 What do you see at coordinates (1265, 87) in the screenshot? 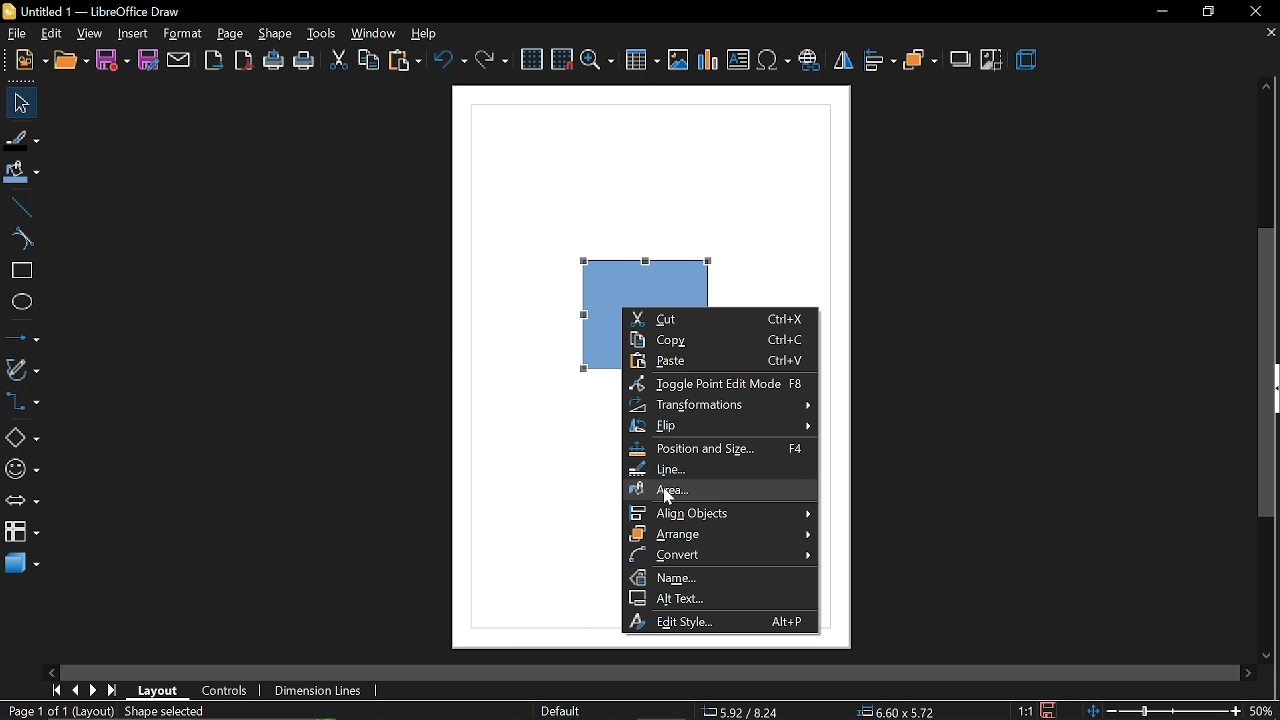
I see `Move up` at bounding box center [1265, 87].